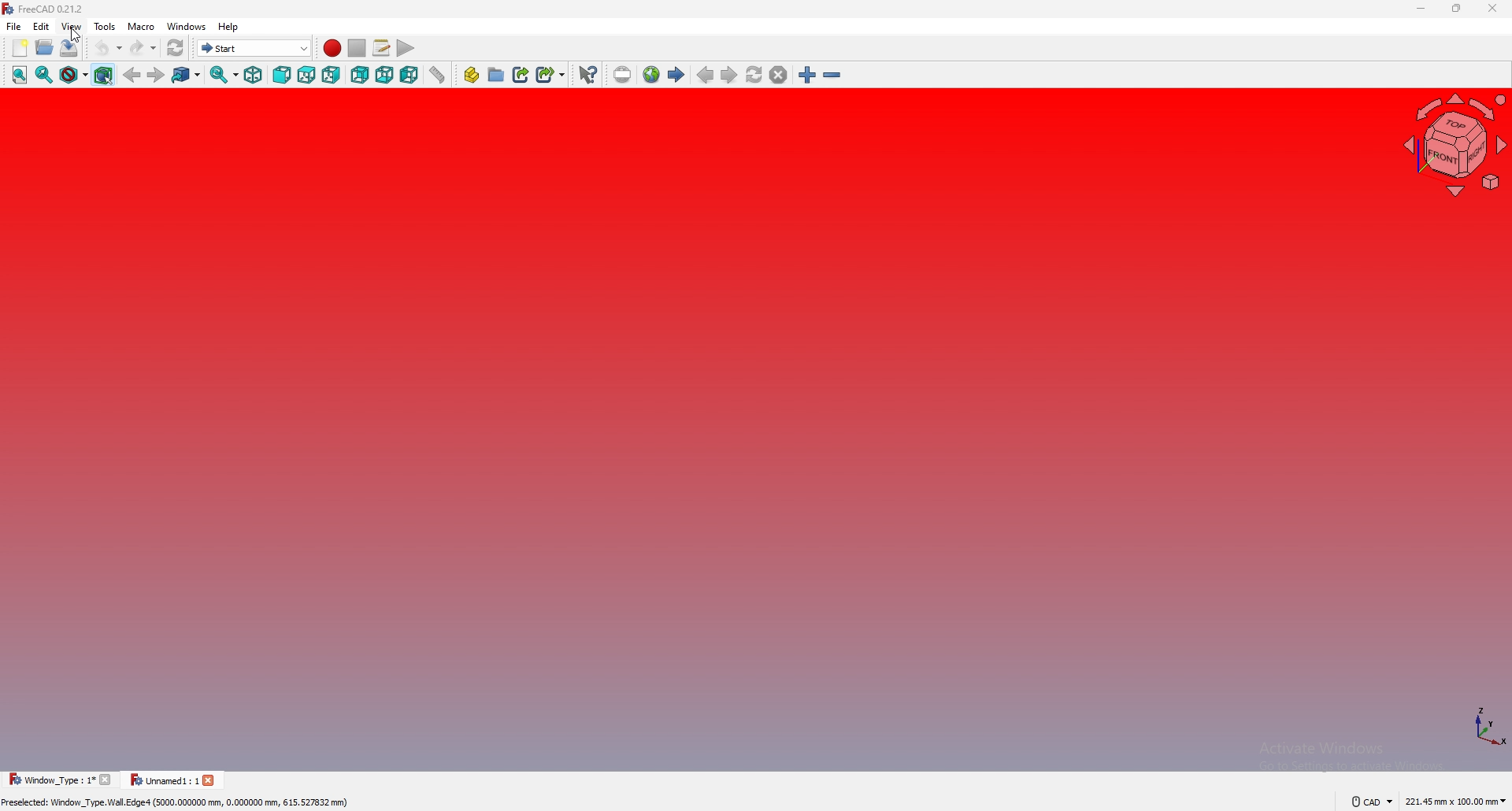  Describe the element at coordinates (832, 74) in the screenshot. I see `zoom out` at that location.